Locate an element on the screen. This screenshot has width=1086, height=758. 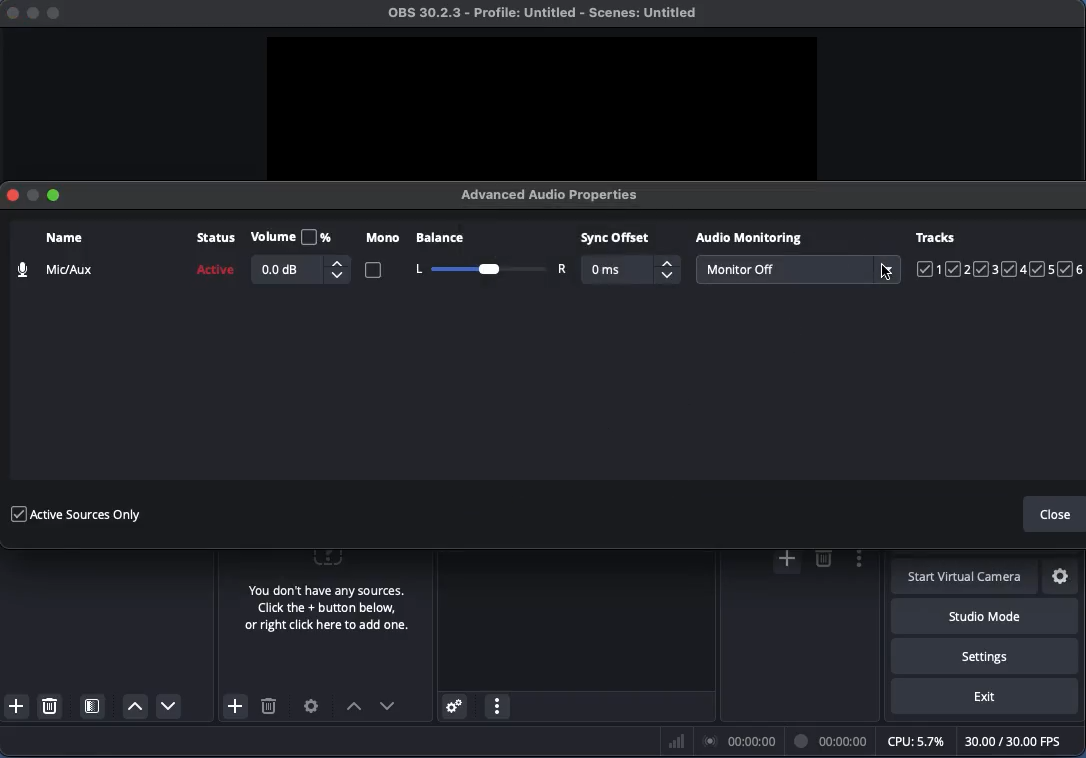
Mono is located at coordinates (383, 257).